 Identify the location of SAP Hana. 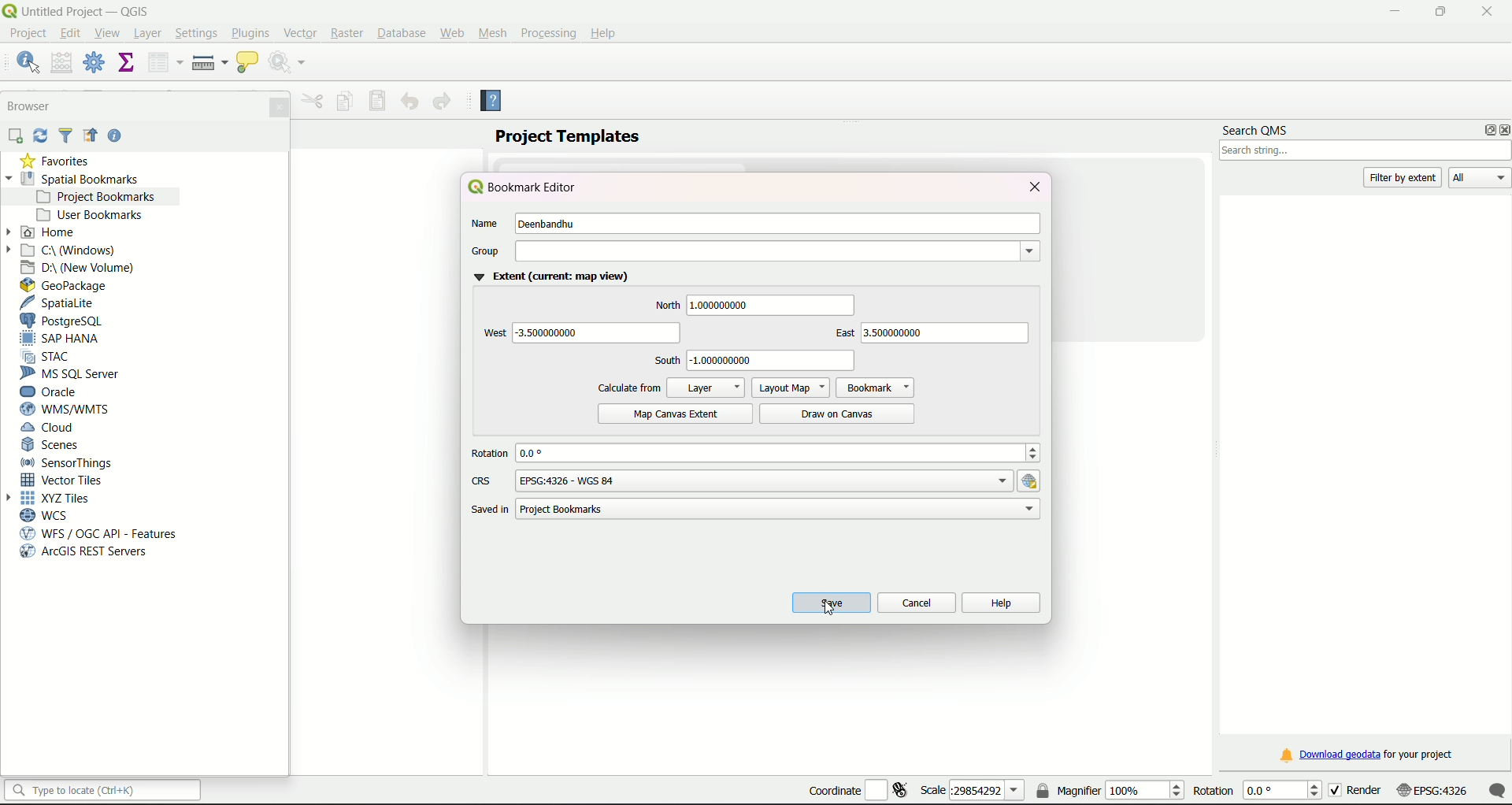
(62, 339).